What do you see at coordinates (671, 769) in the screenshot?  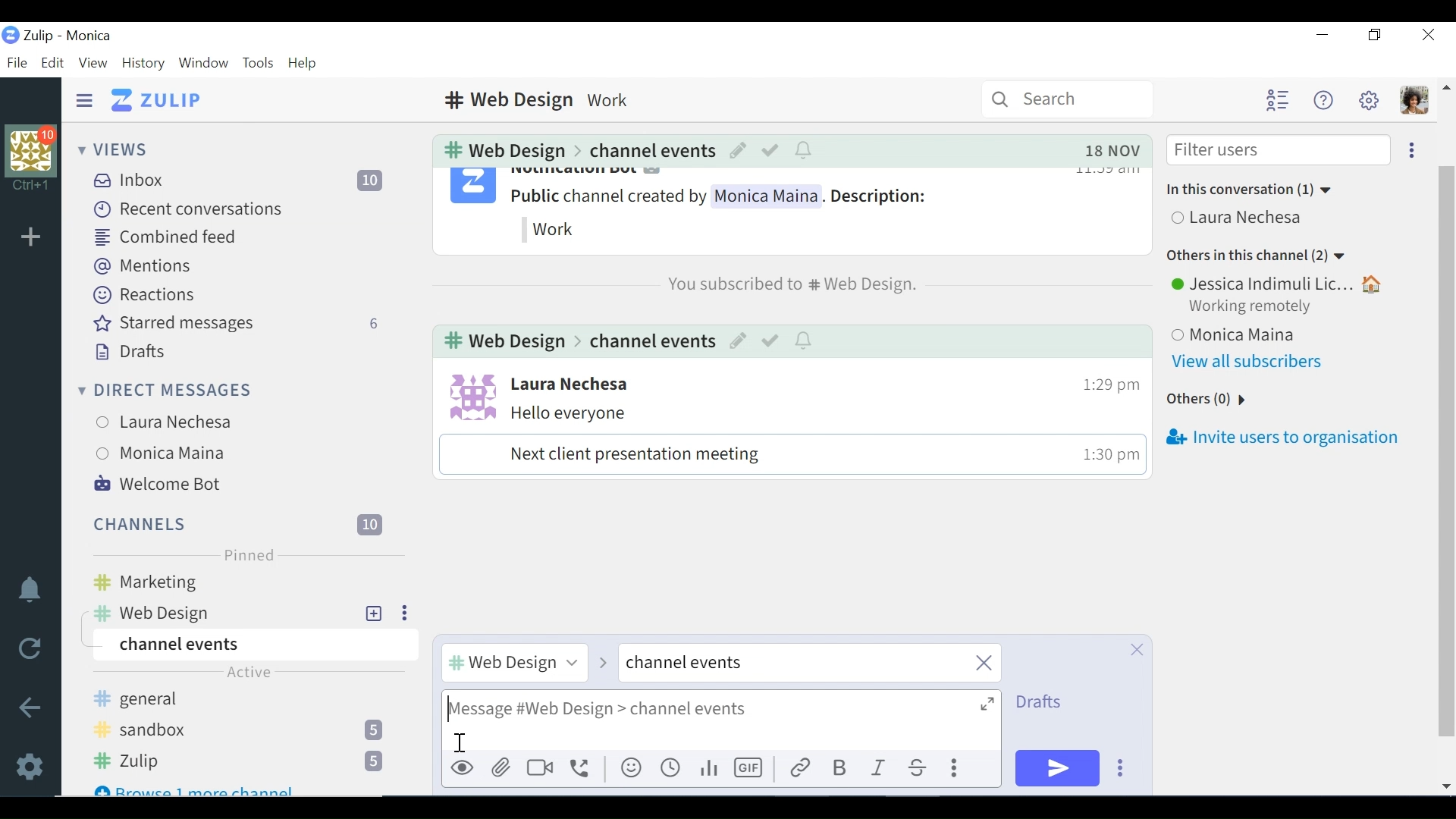 I see `Add global time` at bounding box center [671, 769].